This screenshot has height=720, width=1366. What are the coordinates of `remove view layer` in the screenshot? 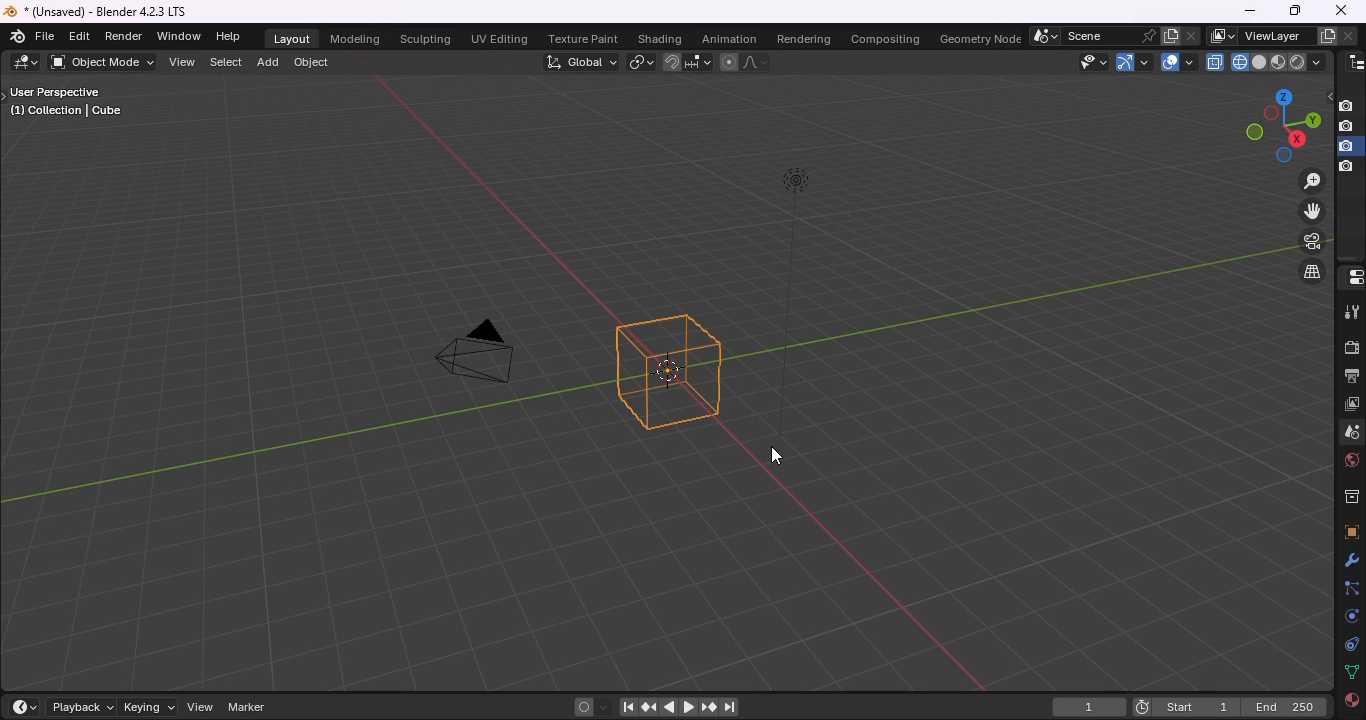 It's located at (1349, 37).